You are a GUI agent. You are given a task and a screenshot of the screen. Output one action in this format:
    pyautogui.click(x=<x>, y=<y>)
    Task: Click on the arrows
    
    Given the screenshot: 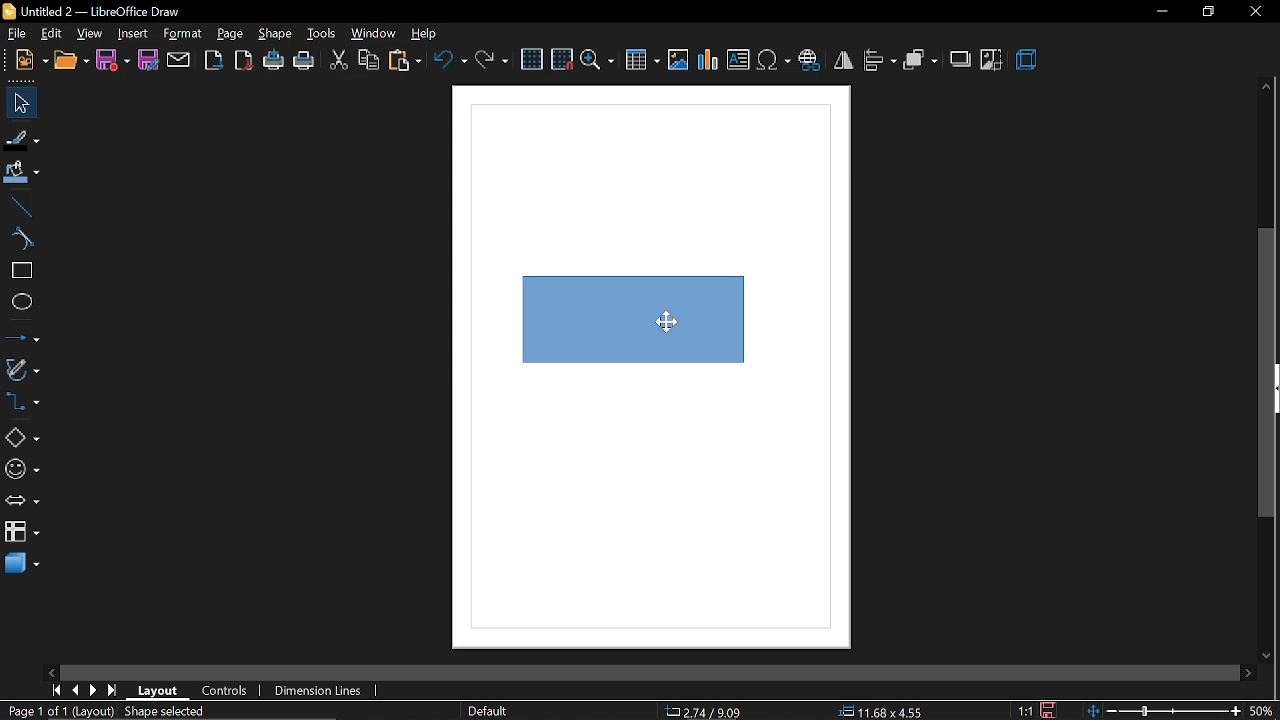 What is the action you would take?
    pyautogui.click(x=22, y=501)
    